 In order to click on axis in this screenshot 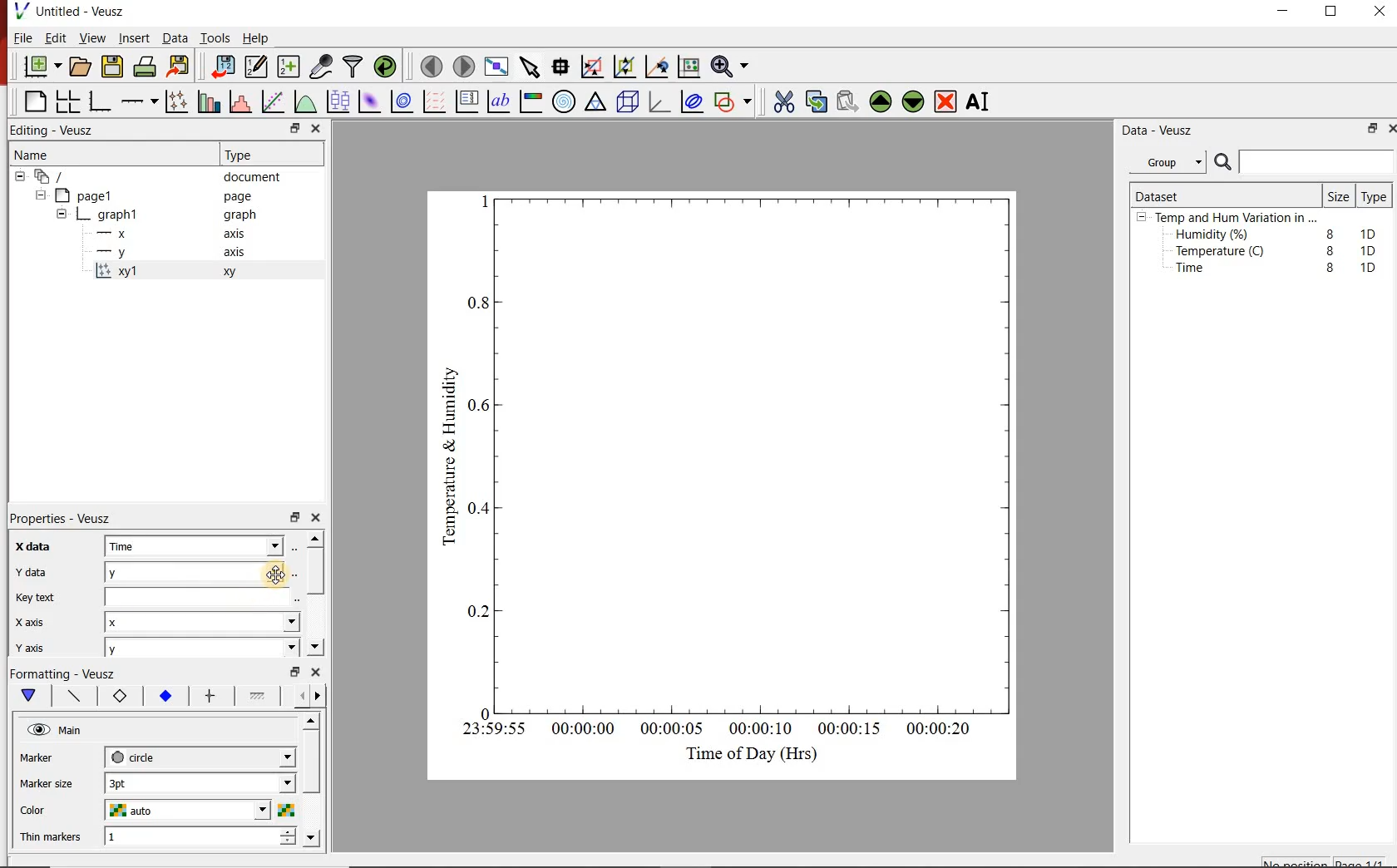, I will do `click(238, 254)`.